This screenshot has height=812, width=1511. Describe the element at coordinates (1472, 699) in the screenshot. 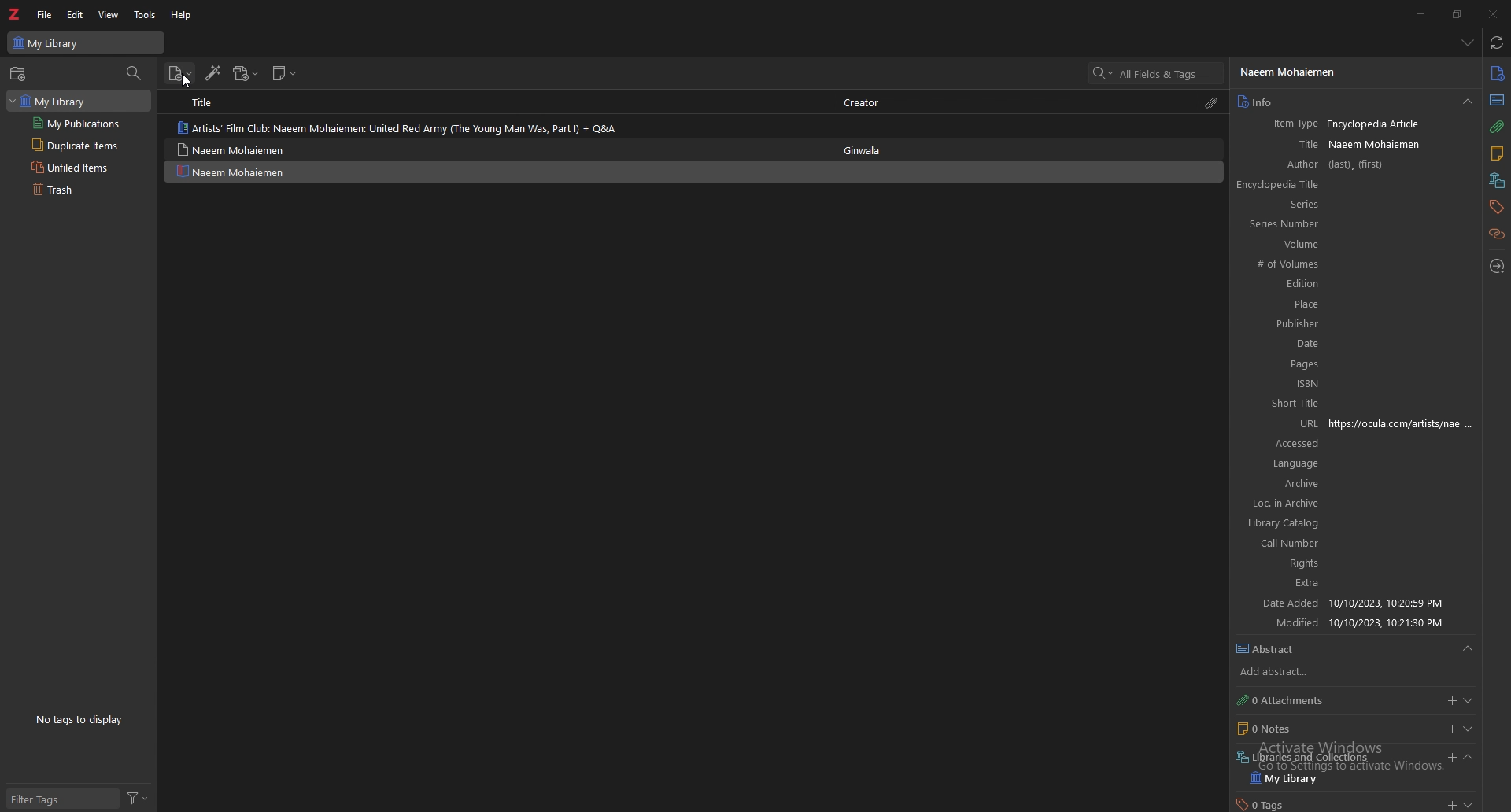

I see `expand section` at that location.